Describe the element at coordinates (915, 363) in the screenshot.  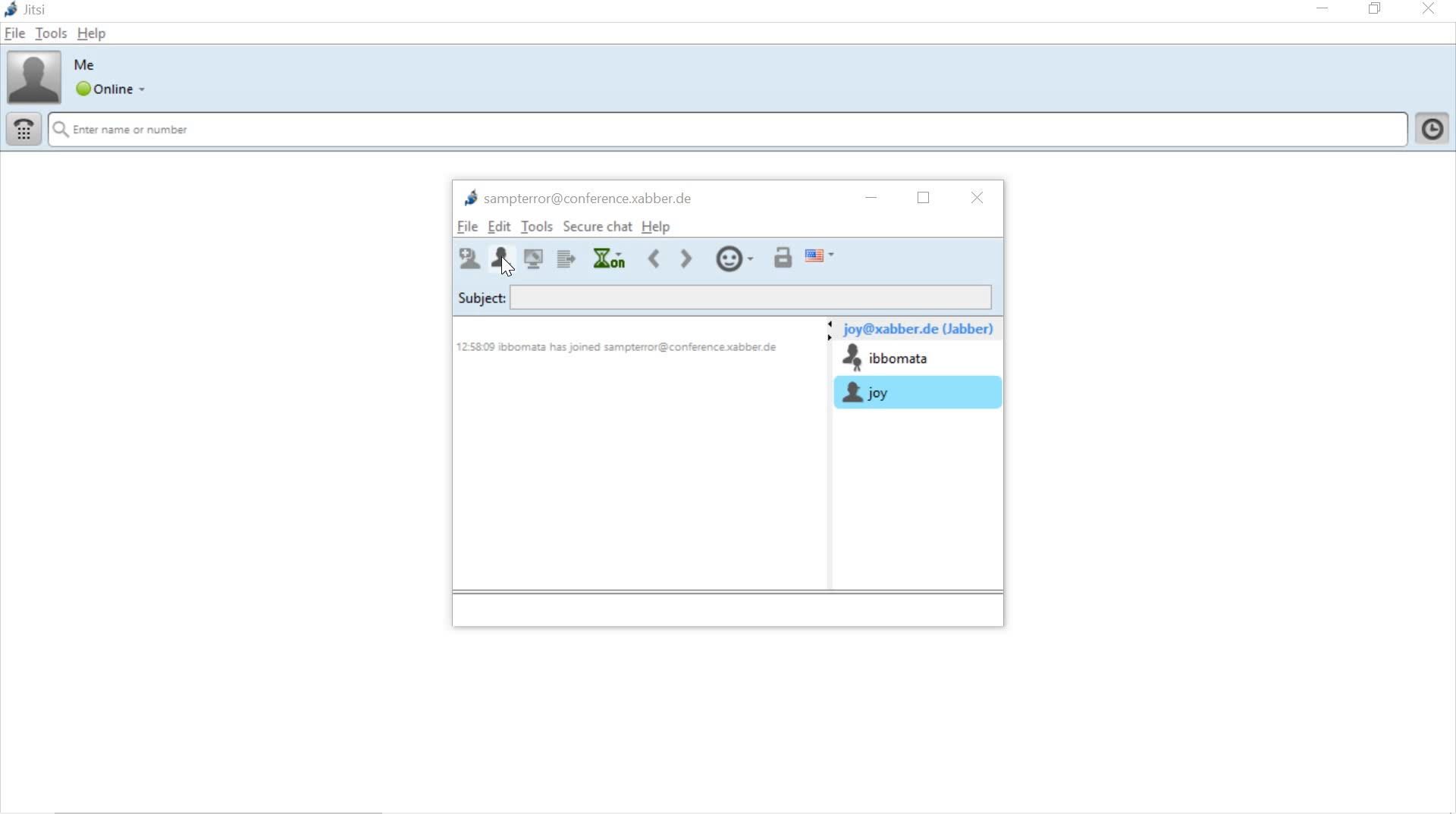
I see `chat room participants` at that location.